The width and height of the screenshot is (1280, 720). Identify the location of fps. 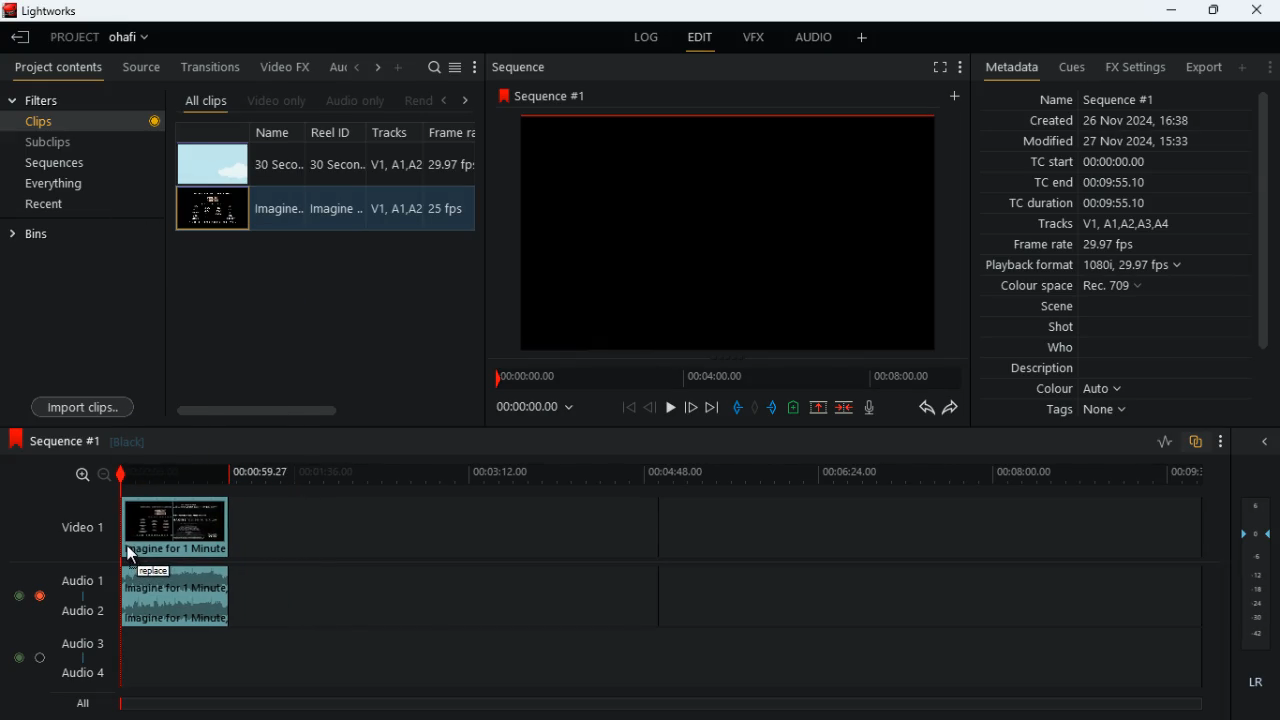
(454, 134).